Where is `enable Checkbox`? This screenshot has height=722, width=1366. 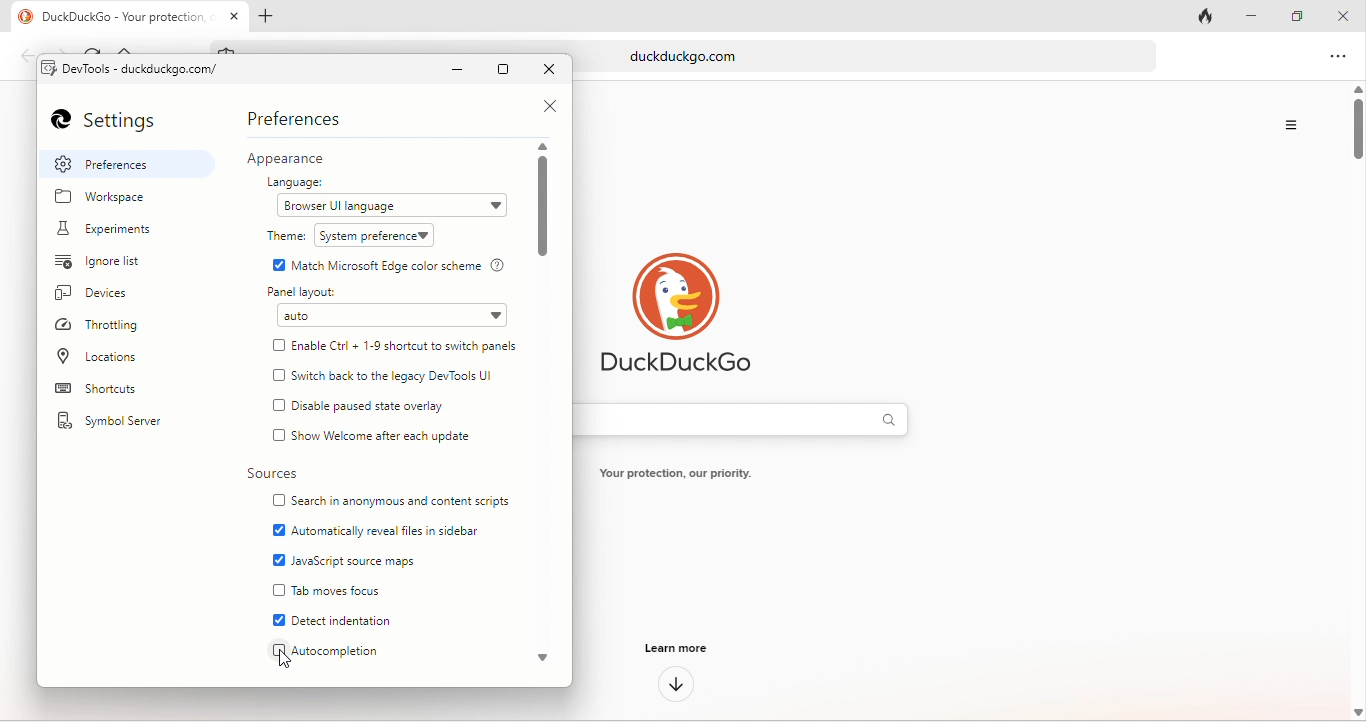 enable Checkbox is located at coordinates (278, 265).